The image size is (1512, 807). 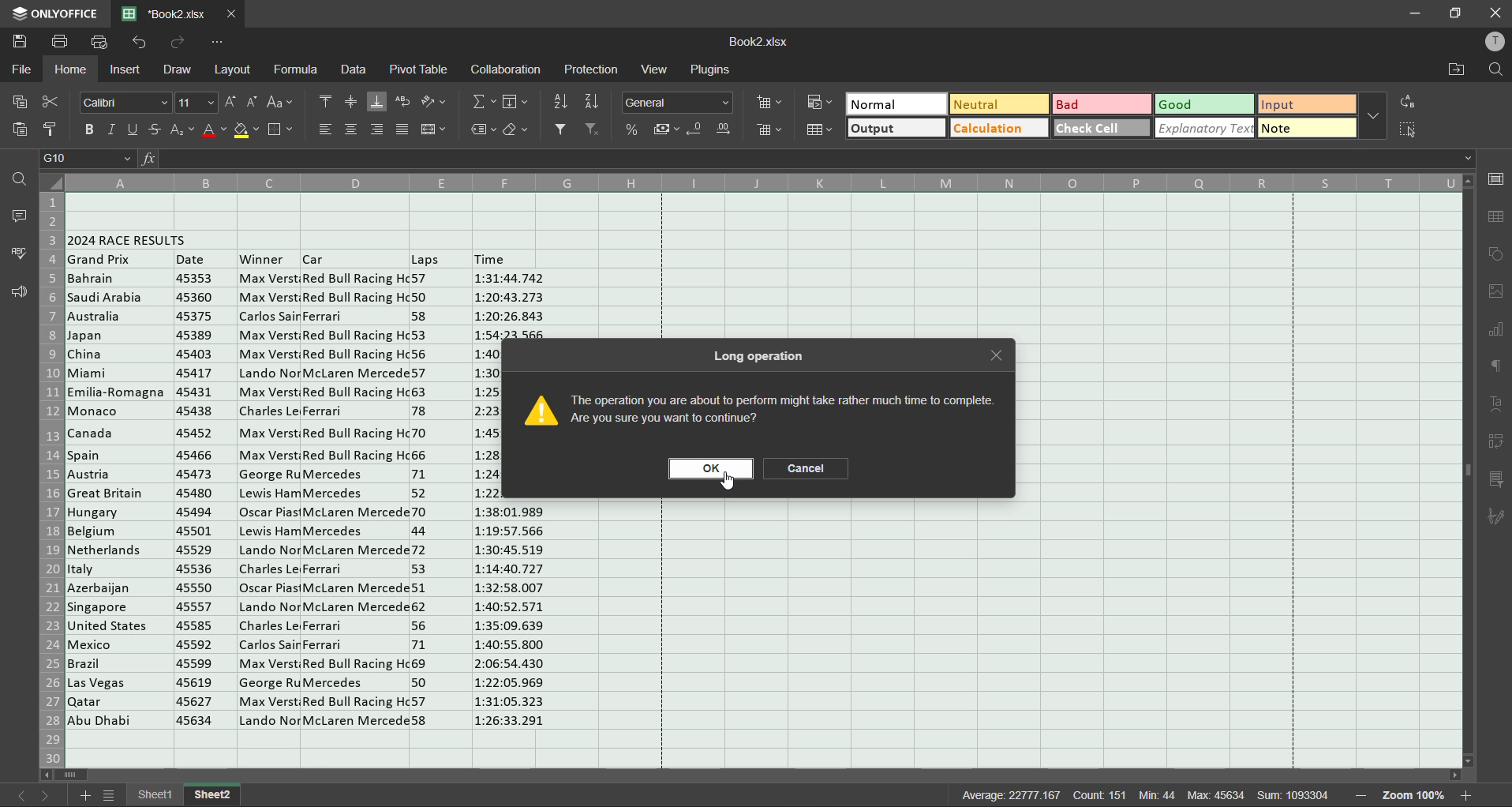 What do you see at coordinates (507, 621) in the screenshot?
I see `Time` at bounding box center [507, 621].